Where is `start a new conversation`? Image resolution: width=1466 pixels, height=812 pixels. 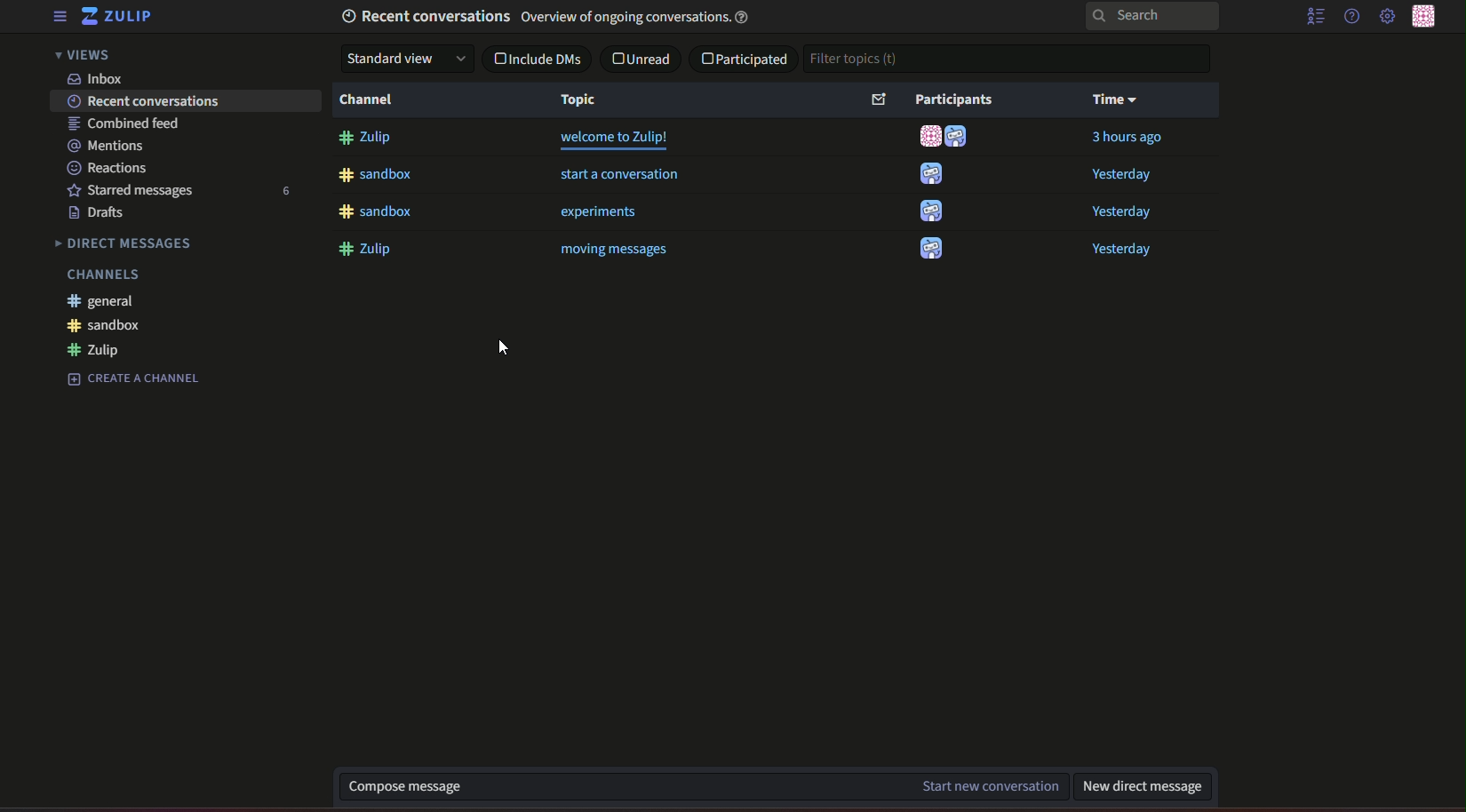 start a new conversation is located at coordinates (984, 786).